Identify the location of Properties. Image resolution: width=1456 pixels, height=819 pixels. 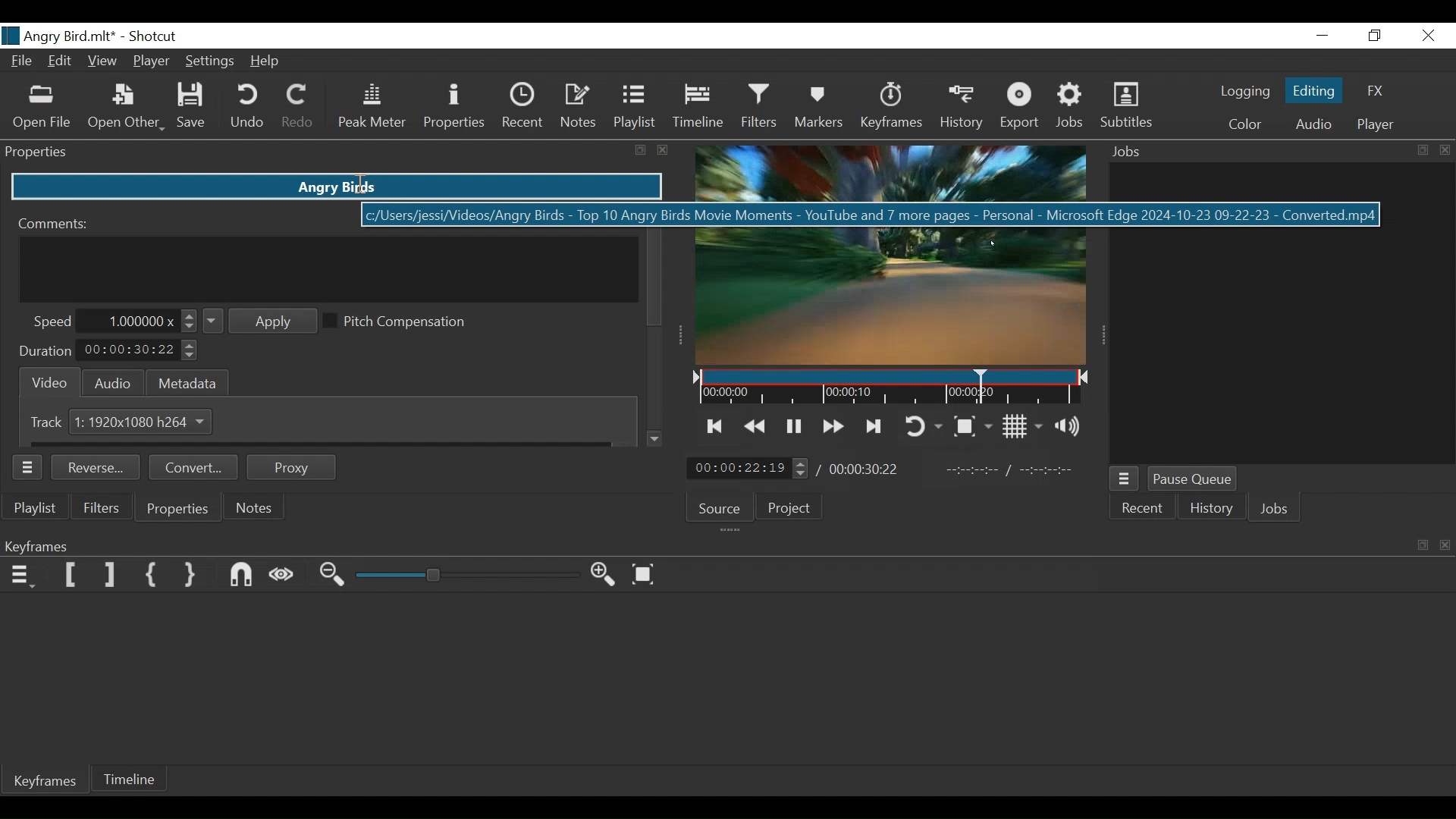
(453, 106).